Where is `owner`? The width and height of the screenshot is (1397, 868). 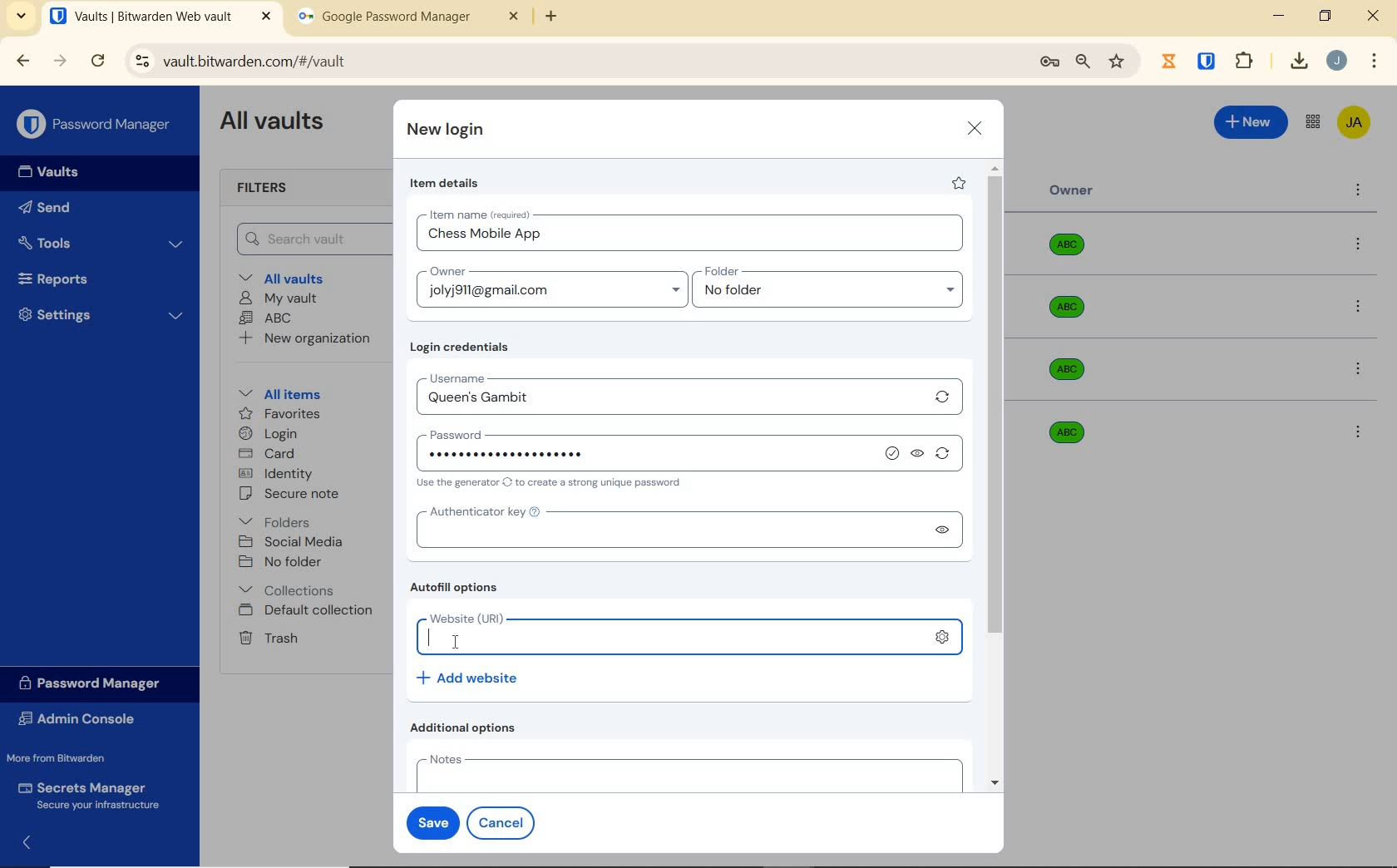
owner is located at coordinates (446, 273).